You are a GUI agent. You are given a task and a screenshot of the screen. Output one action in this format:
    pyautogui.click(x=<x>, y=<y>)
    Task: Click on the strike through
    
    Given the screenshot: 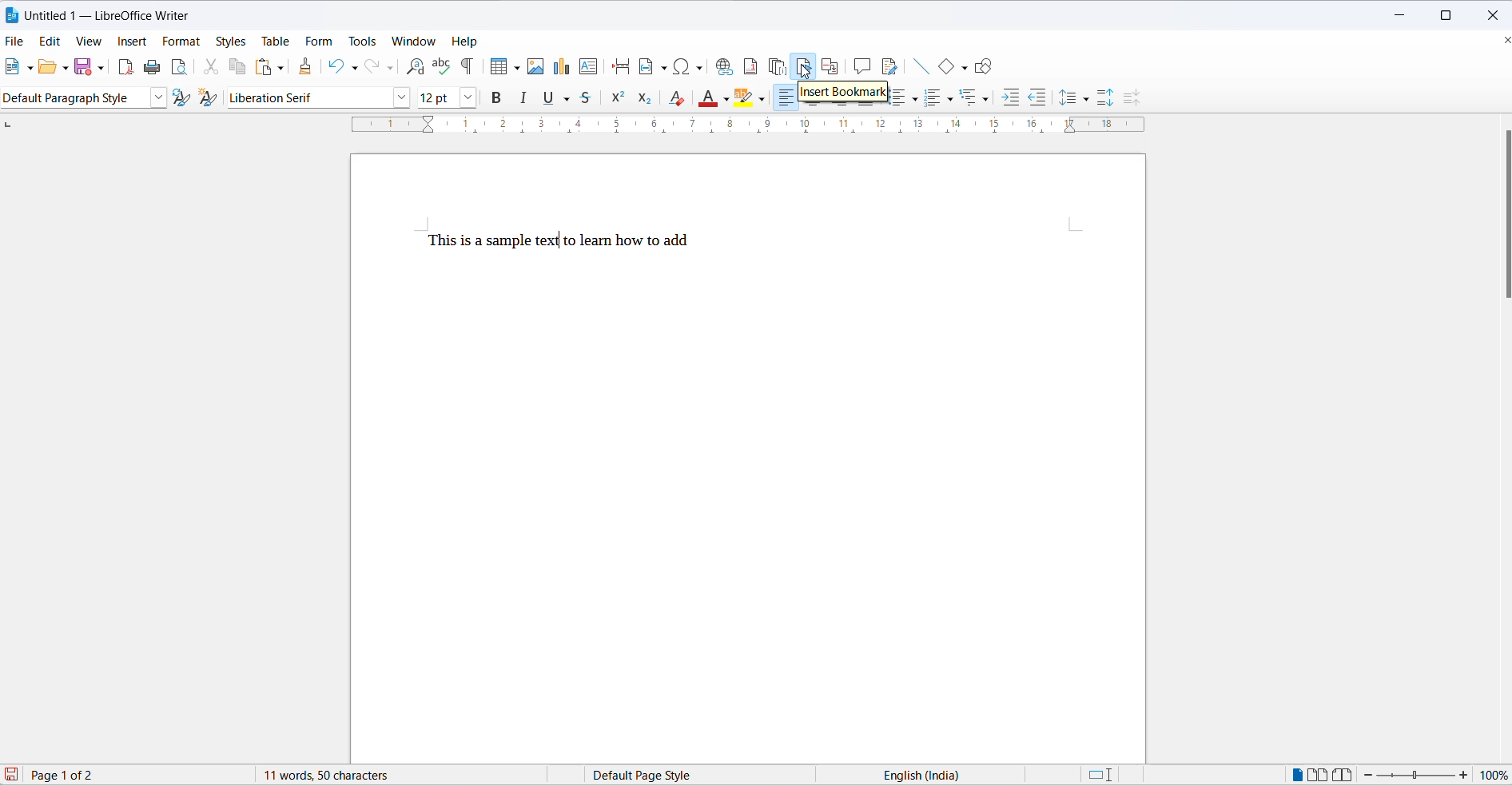 What is the action you would take?
    pyautogui.click(x=591, y=100)
    